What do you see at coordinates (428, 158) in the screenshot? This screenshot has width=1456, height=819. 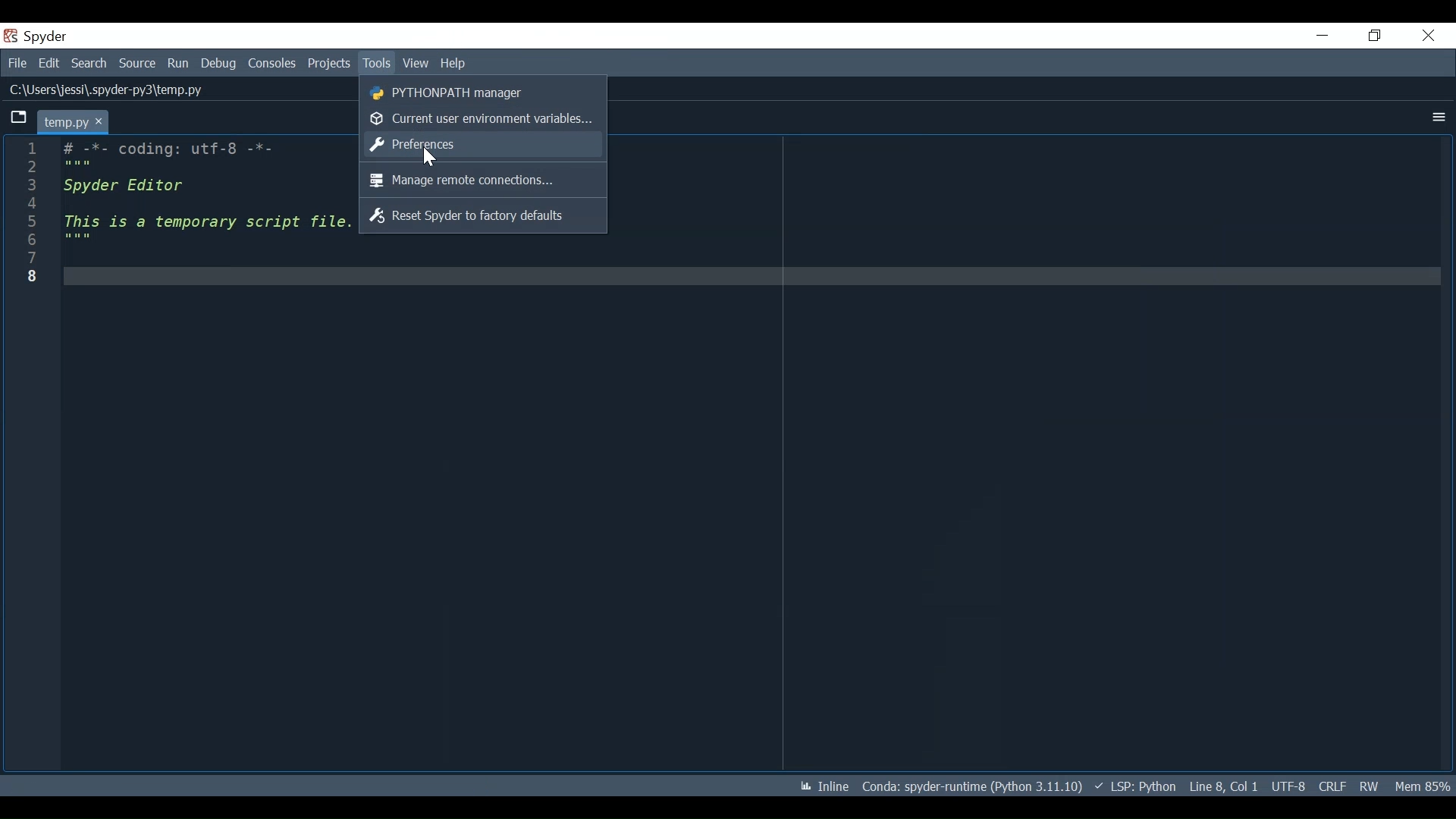 I see `Cursor` at bounding box center [428, 158].